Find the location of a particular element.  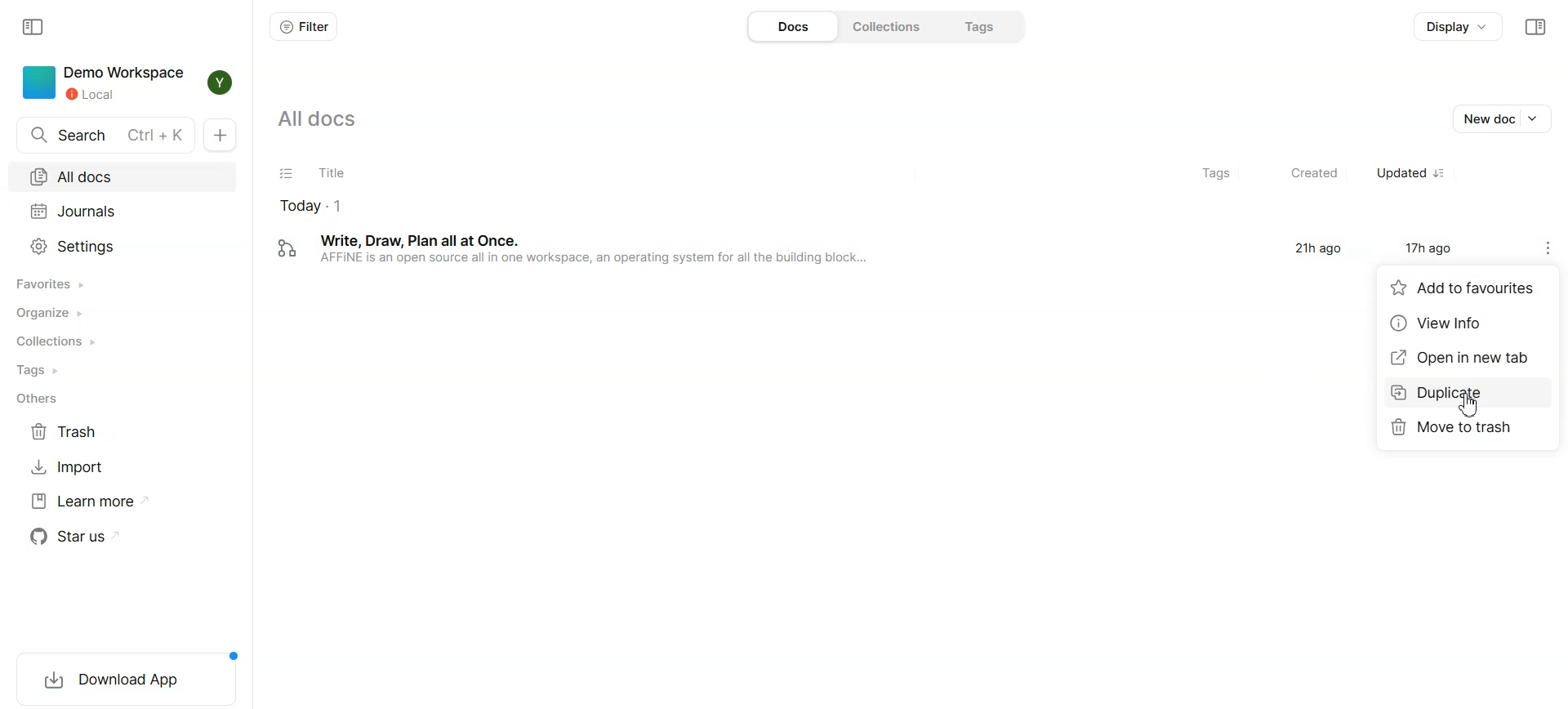

Download App is located at coordinates (128, 680).